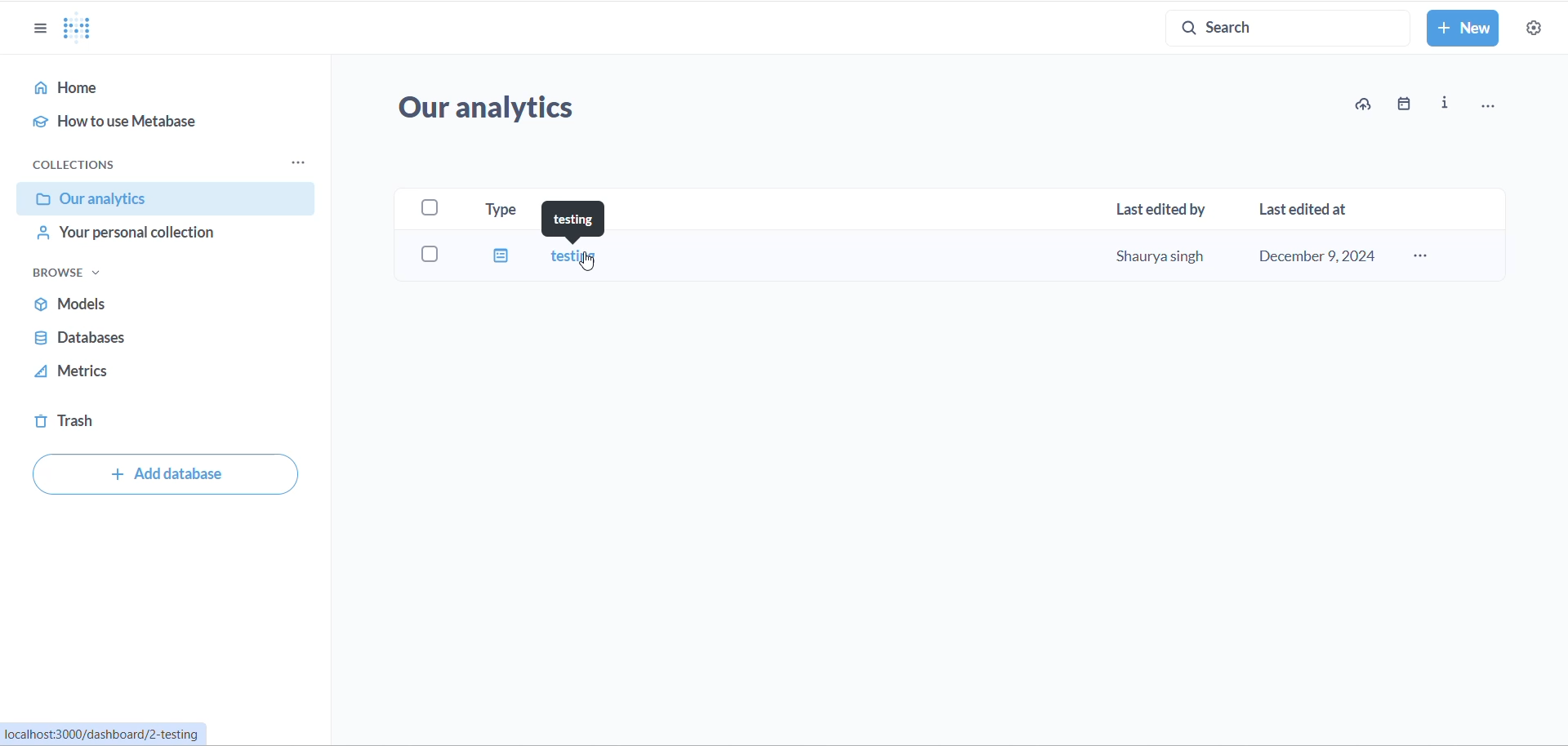 This screenshot has width=1568, height=746. What do you see at coordinates (154, 339) in the screenshot?
I see `databases` at bounding box center [154, 339].